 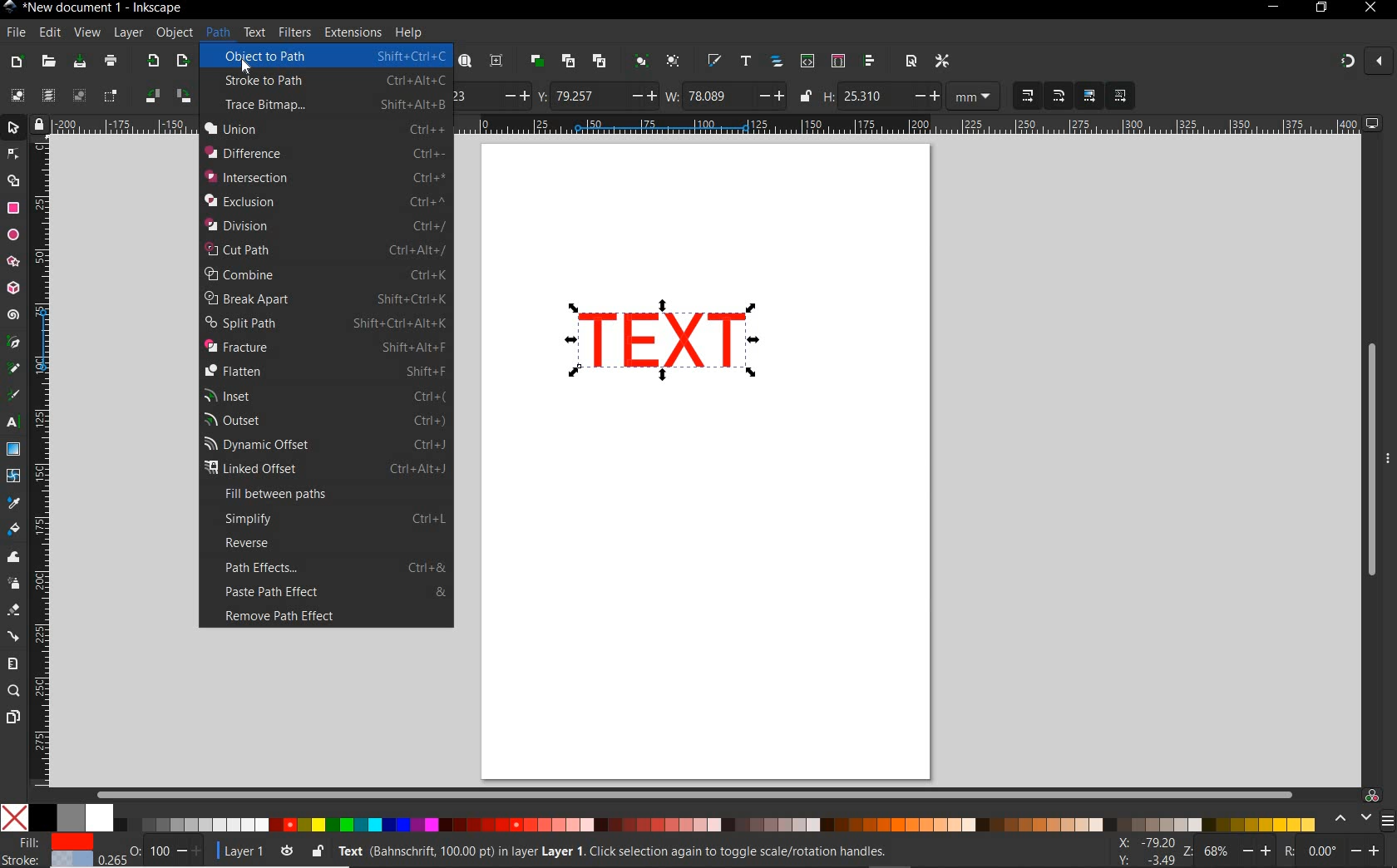 I want to click on TOGGLE SELECTIONBOX, so click(x=111, y=96).